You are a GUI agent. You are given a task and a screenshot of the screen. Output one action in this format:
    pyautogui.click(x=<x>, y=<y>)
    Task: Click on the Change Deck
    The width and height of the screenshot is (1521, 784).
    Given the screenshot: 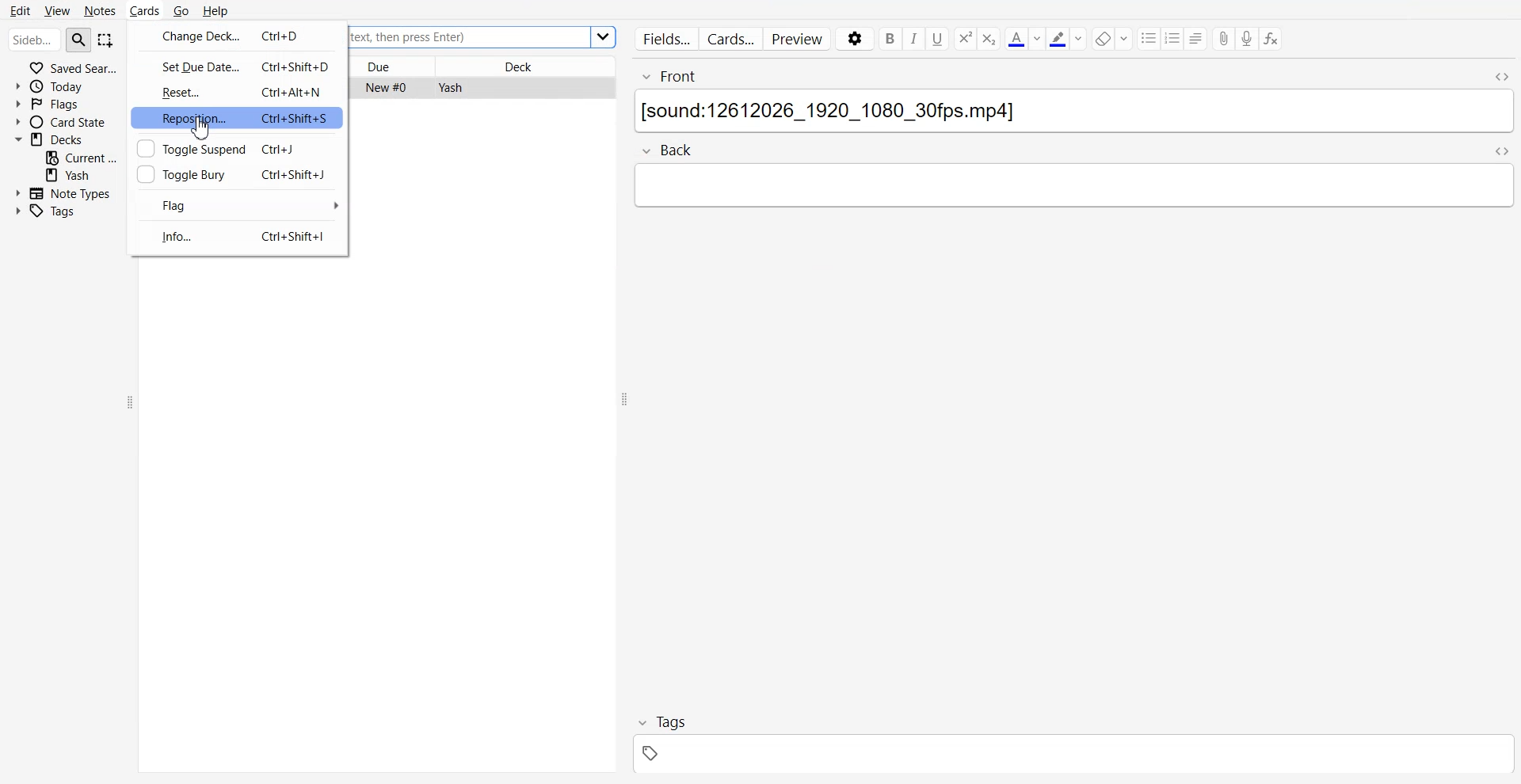 What is the action you would take?
    pyautogui.click(x=186, y=36)
    